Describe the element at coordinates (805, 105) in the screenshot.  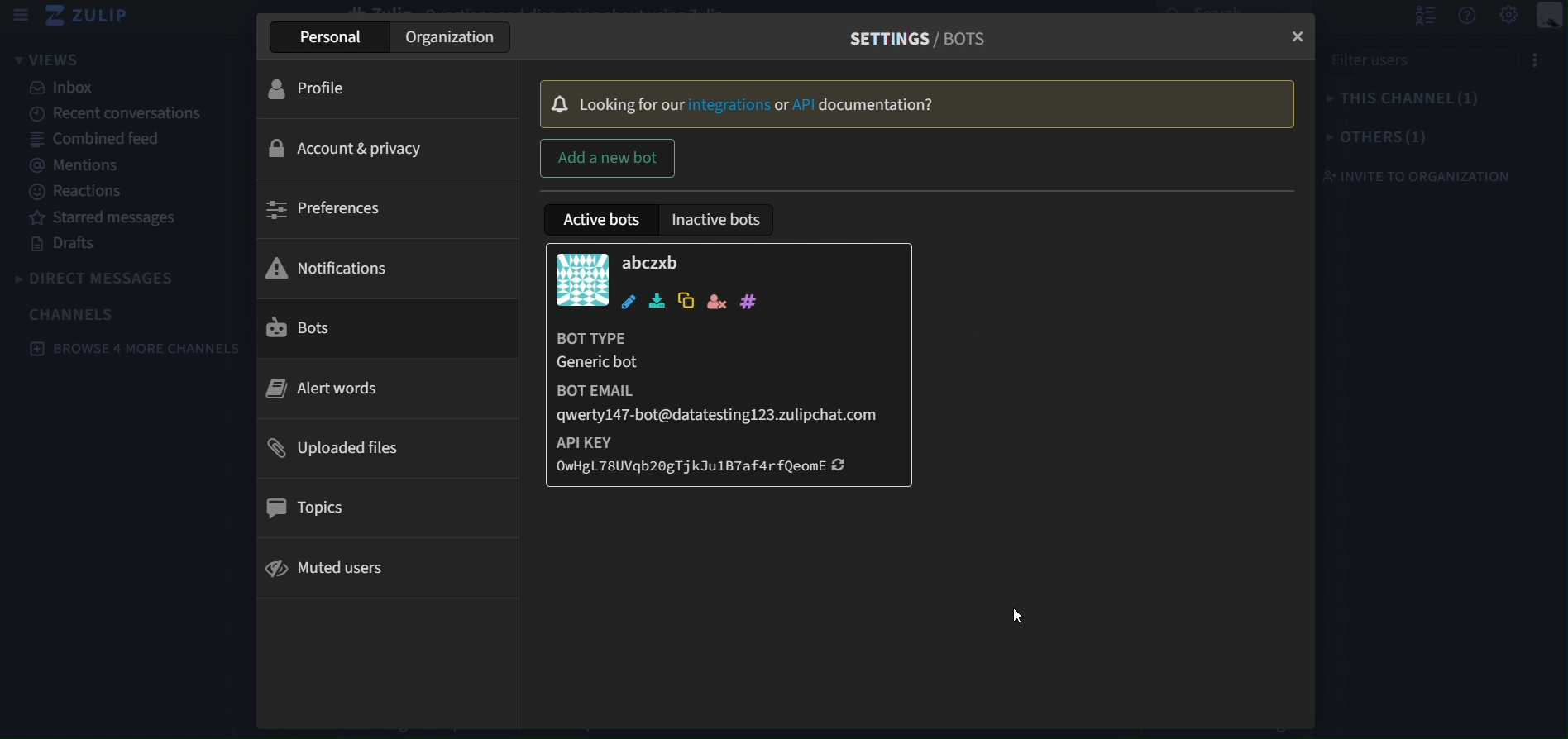
I see `API` at that location.